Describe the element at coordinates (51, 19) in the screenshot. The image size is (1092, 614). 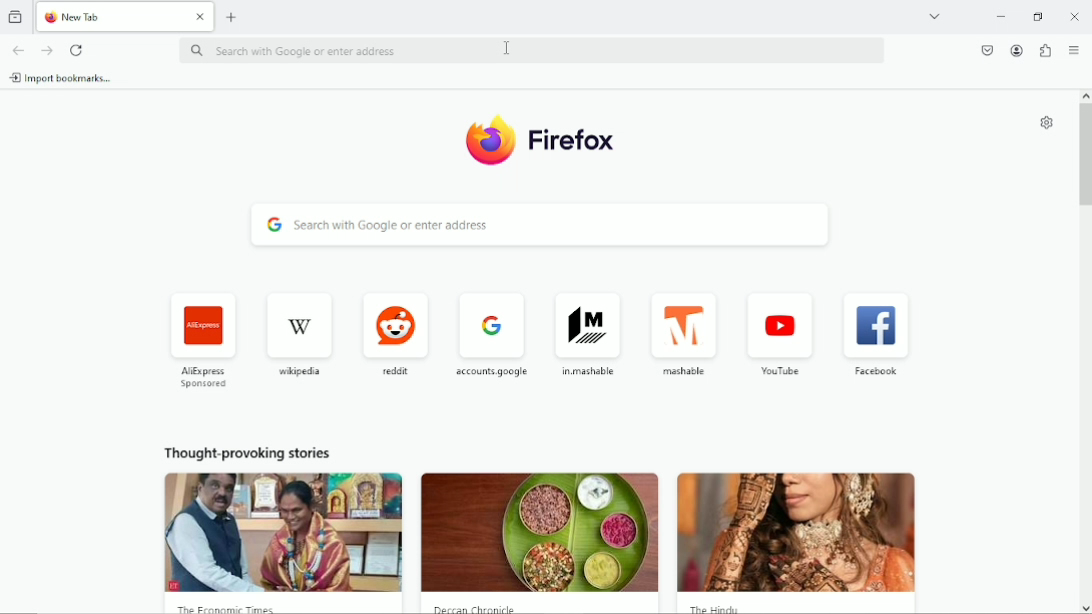
I see `fire fox logo` at that location.